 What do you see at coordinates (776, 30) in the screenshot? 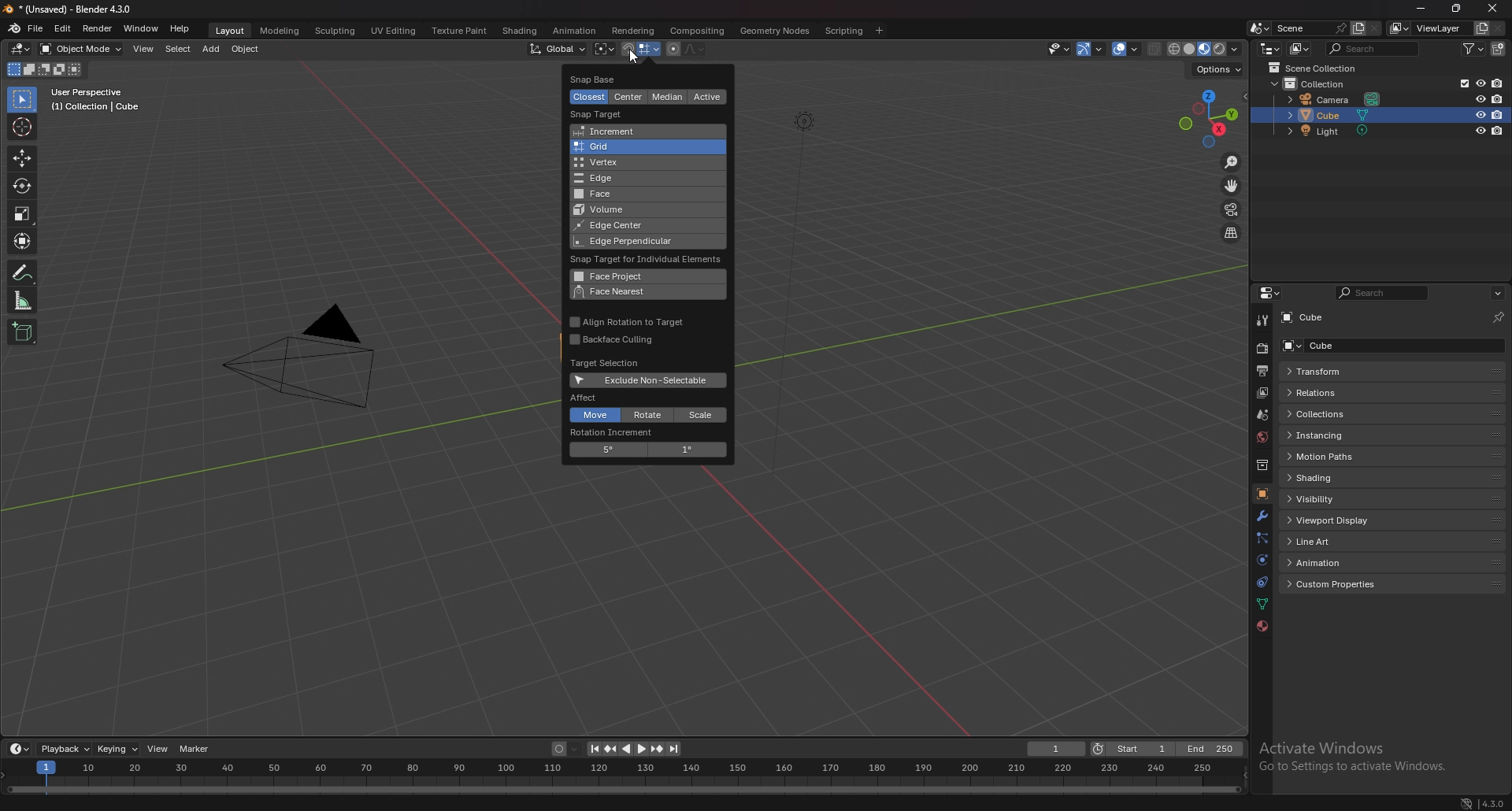
I see `geometry nodes` at bounding box center [776, 30].